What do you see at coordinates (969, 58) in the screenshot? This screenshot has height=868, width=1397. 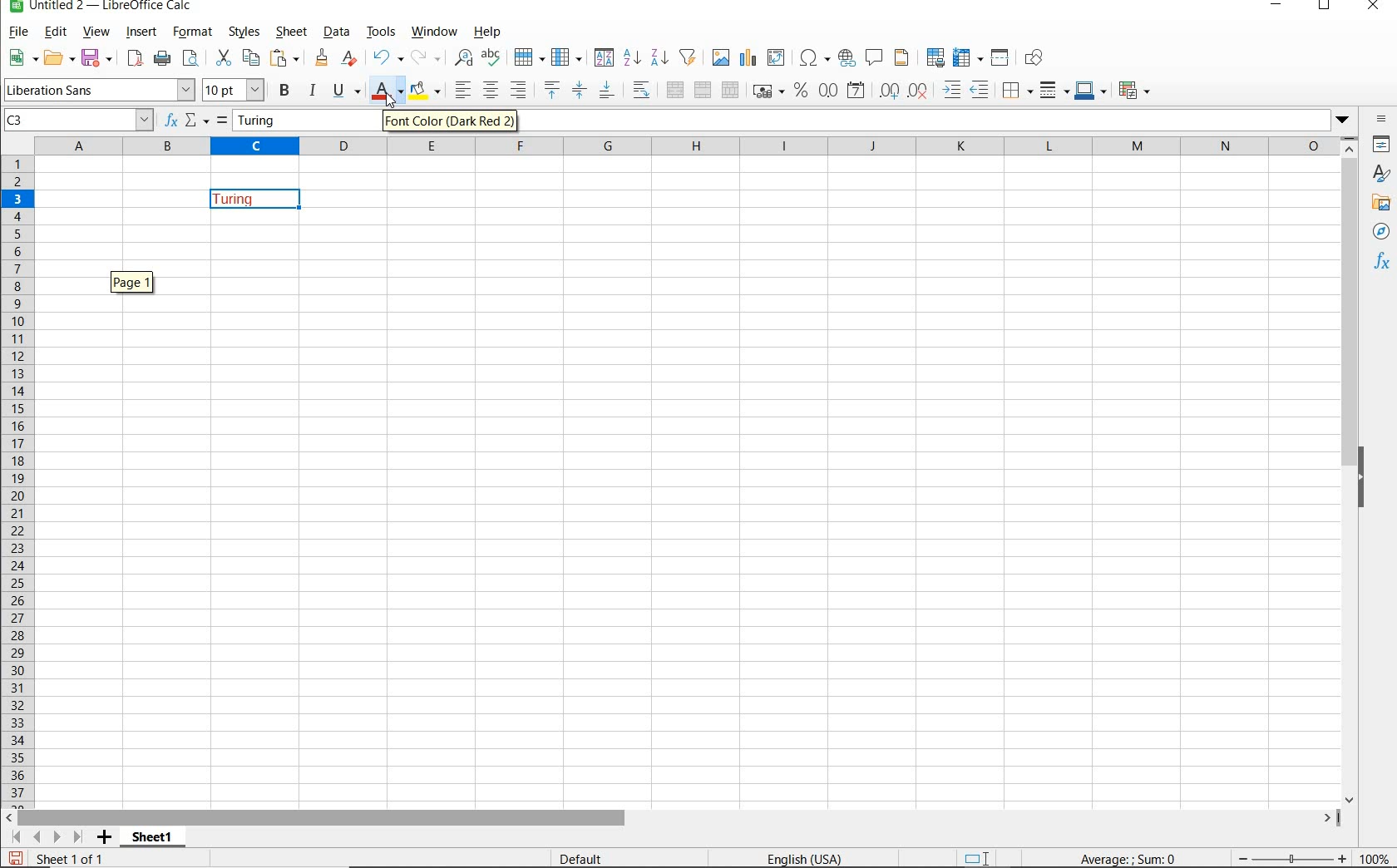 I see `FREEZE ROWS AND ARROWS` at bounding box center [969, 58].